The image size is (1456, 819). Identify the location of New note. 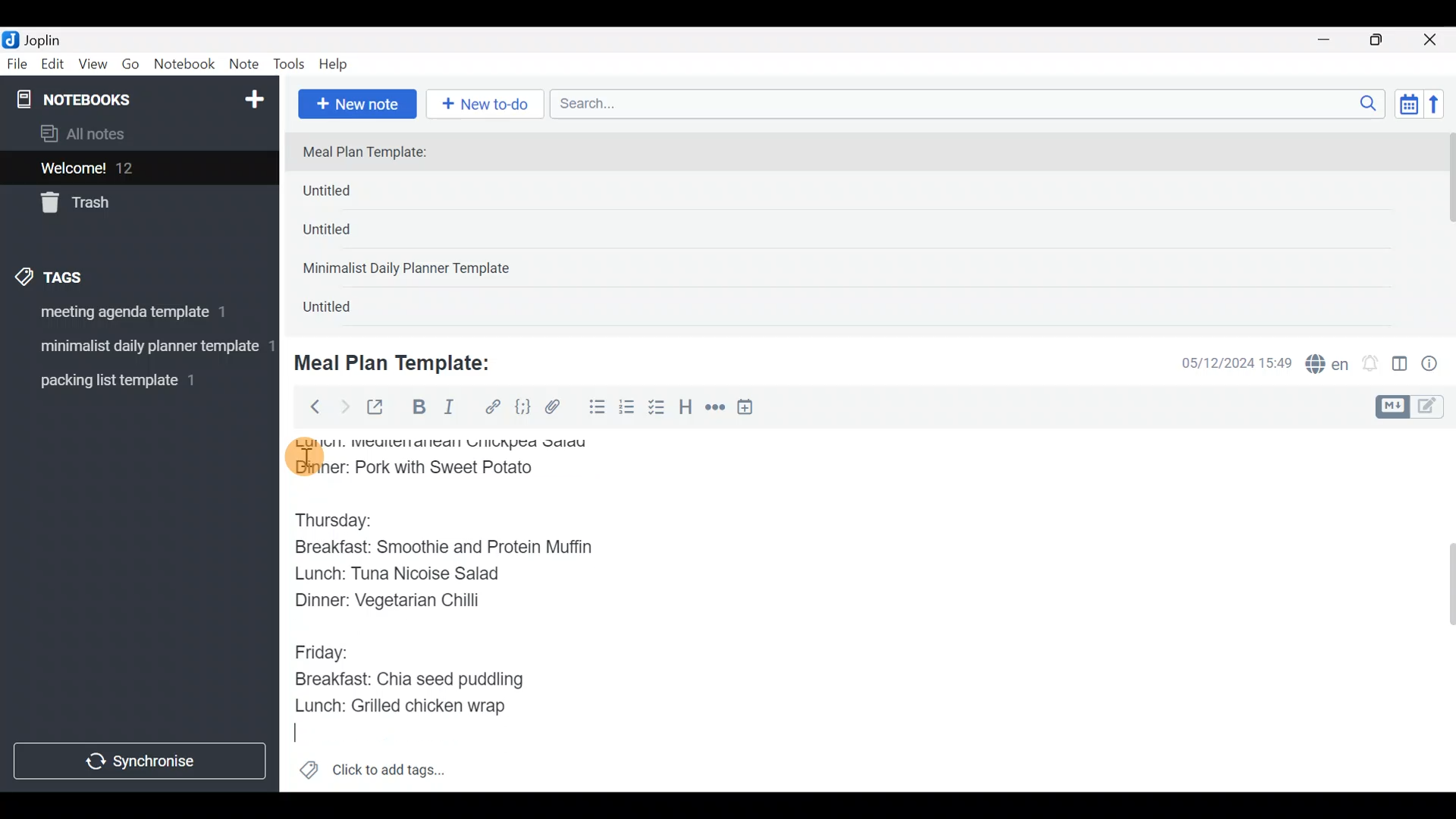
(356, 102).